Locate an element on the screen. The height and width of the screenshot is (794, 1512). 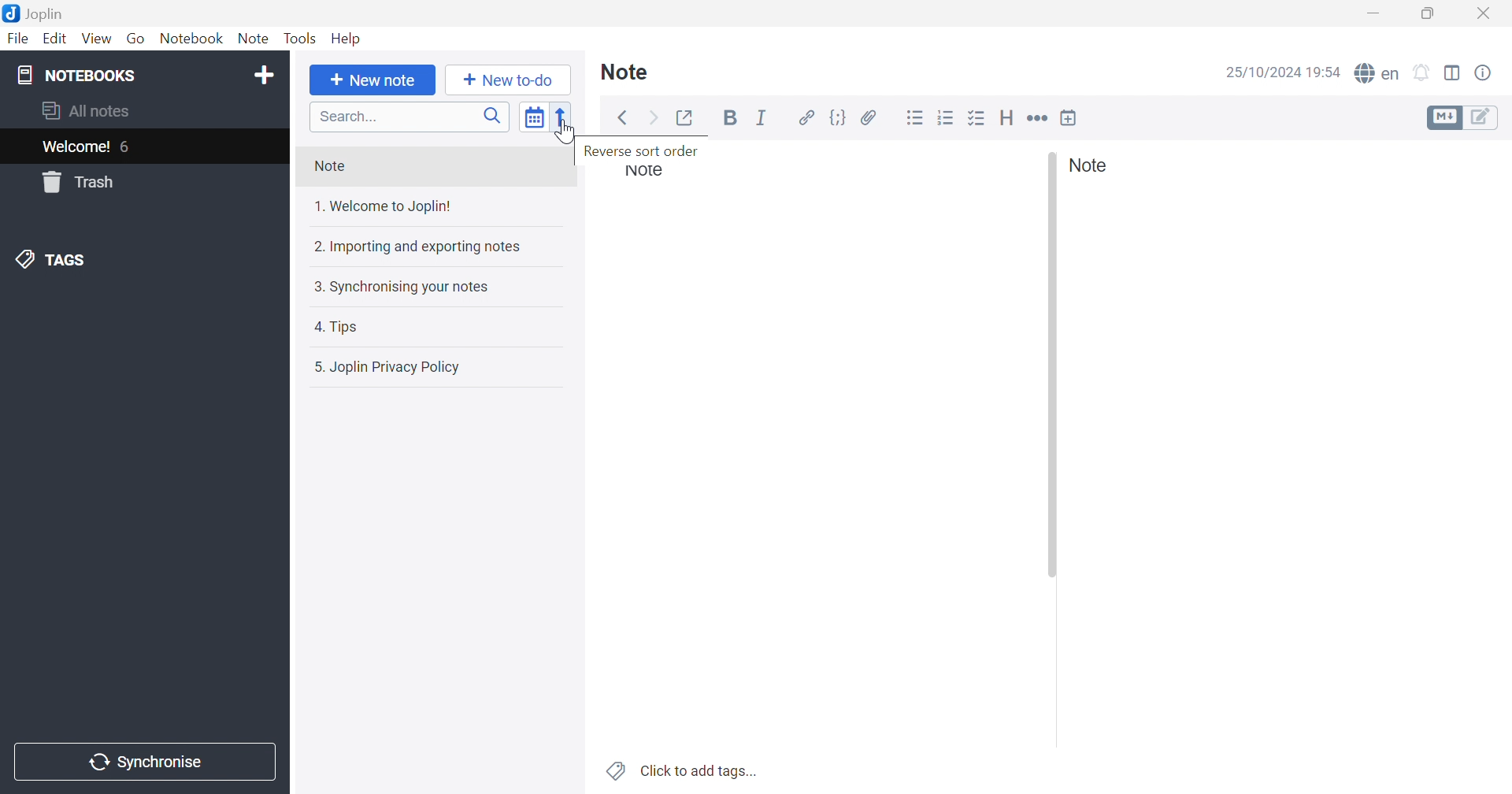
Set alarm is located at coordinates (1423, 73).